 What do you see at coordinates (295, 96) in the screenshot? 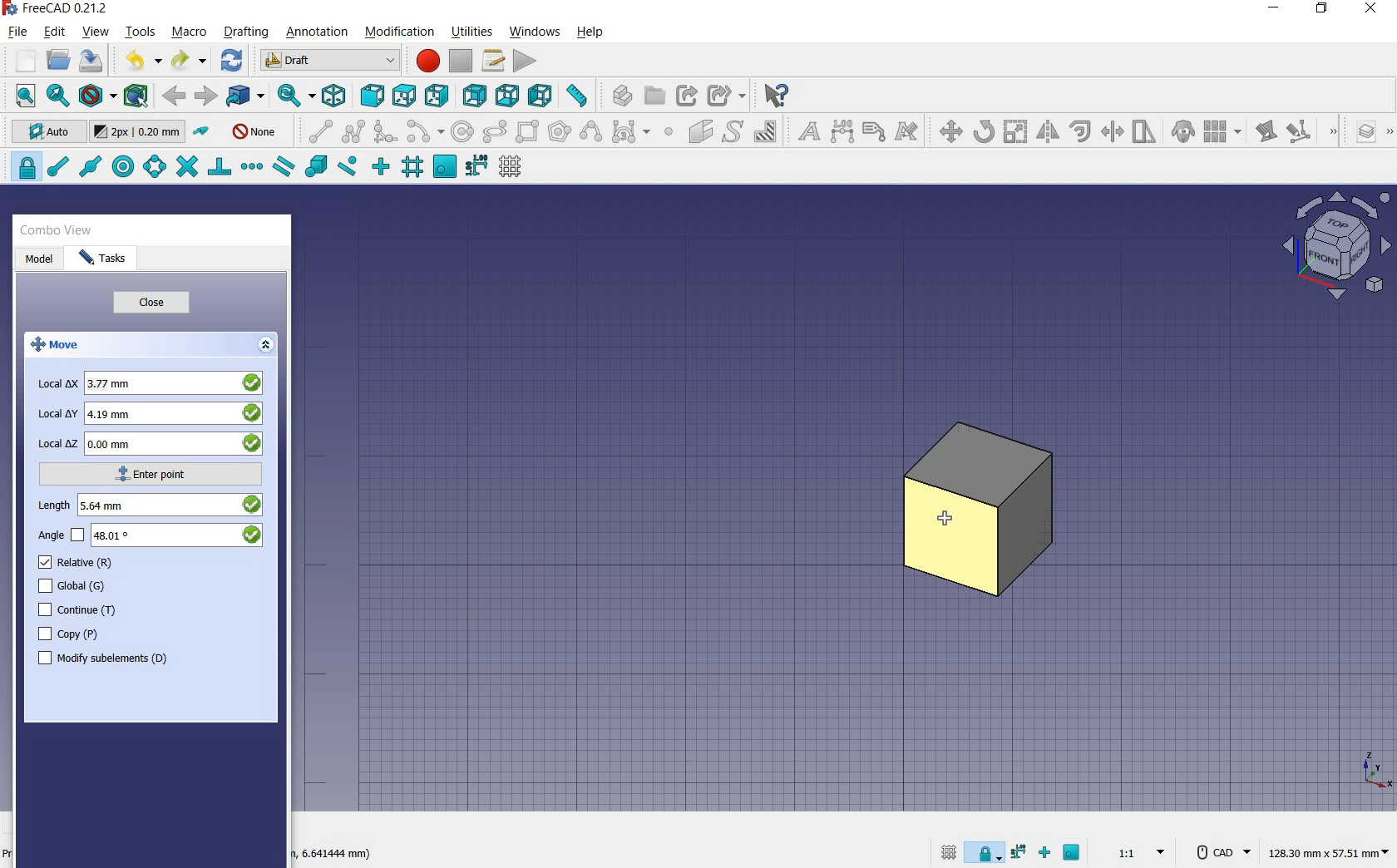
I see `sync view` at bounding box center [295, 96].